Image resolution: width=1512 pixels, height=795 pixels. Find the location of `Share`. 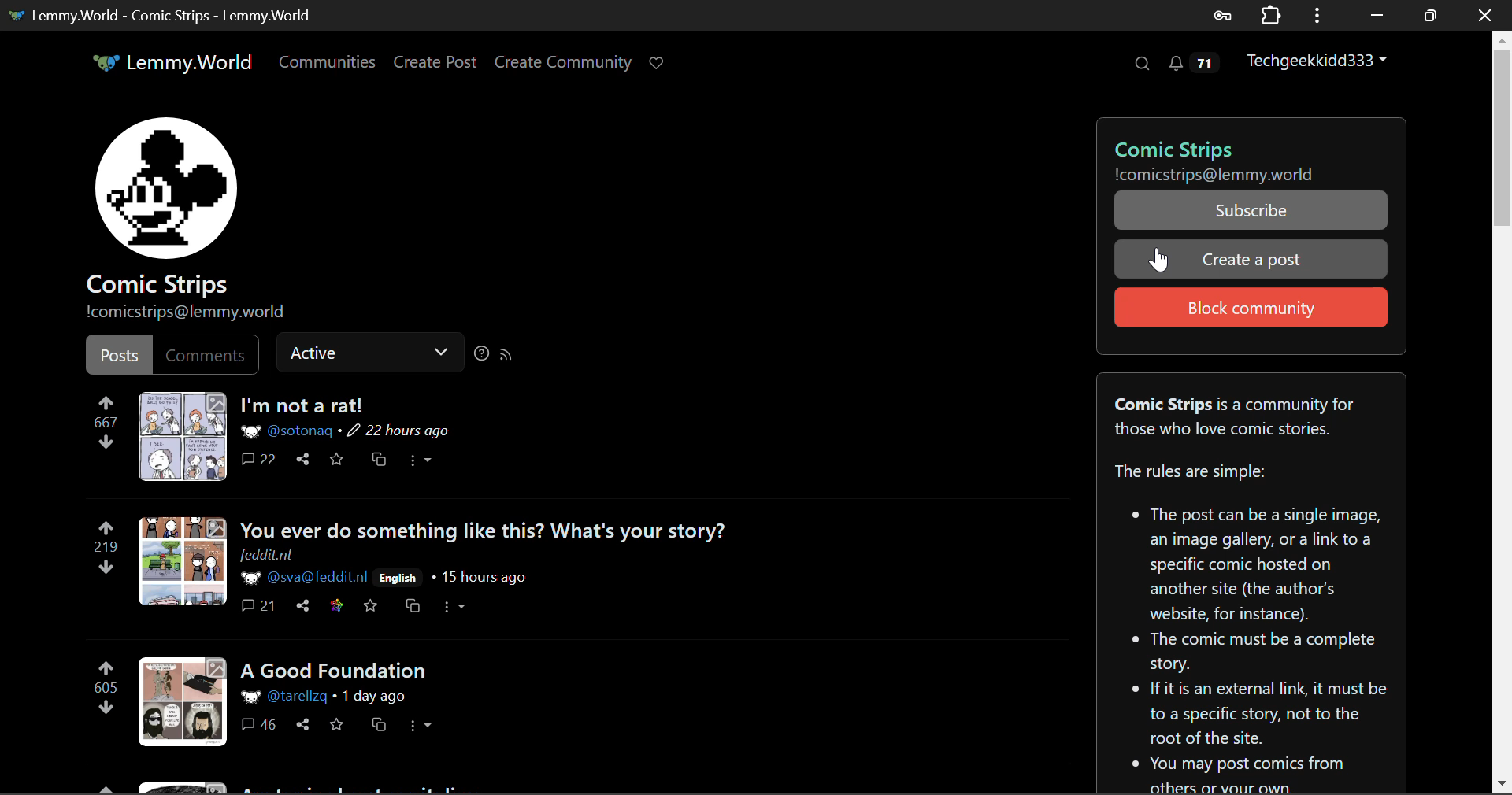

Share is located at coordinates (306, 723).